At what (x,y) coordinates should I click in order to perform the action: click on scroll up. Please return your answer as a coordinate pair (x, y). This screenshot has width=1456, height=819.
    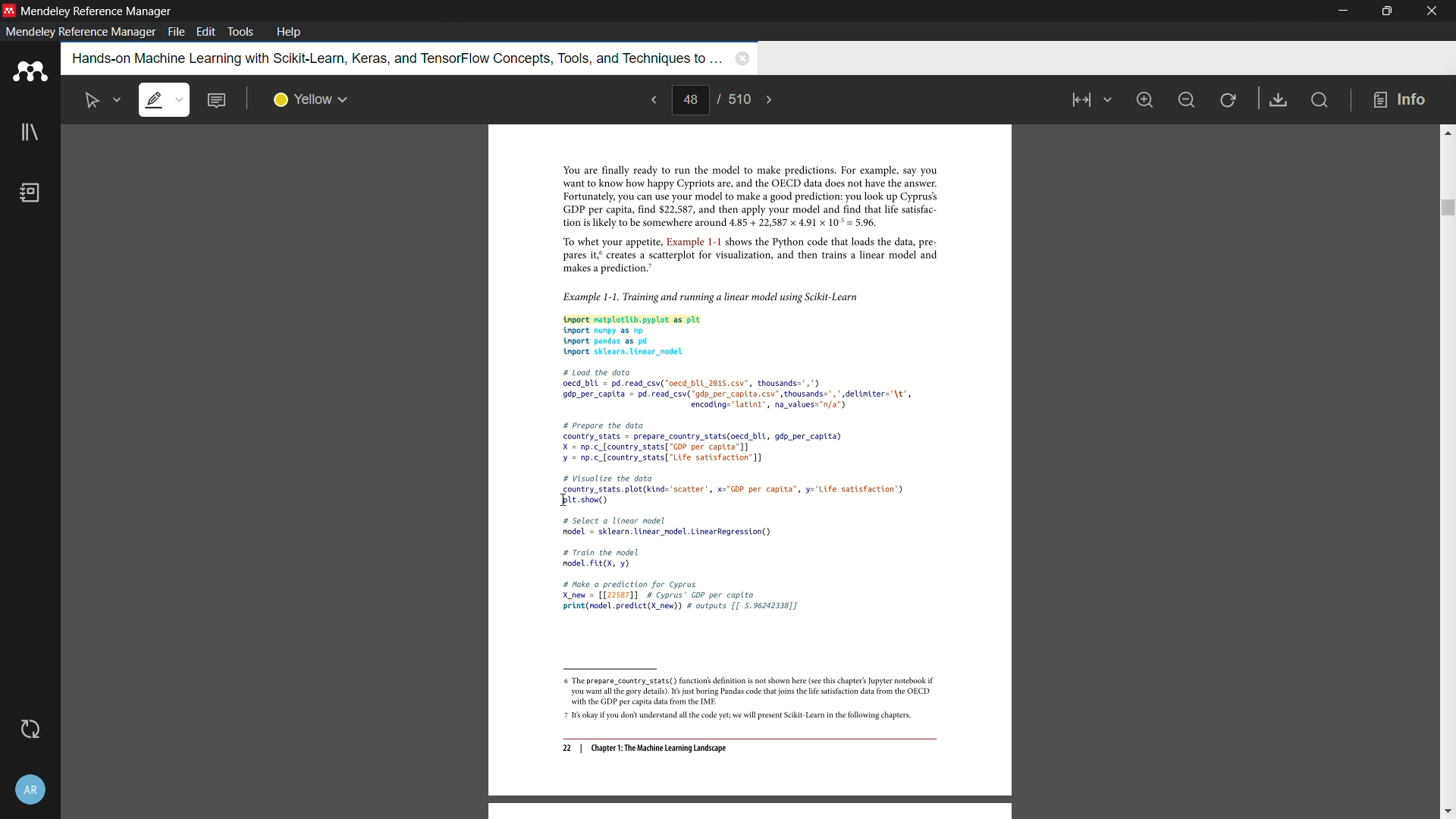
    Looking at the image, I should click on (1447, 132).